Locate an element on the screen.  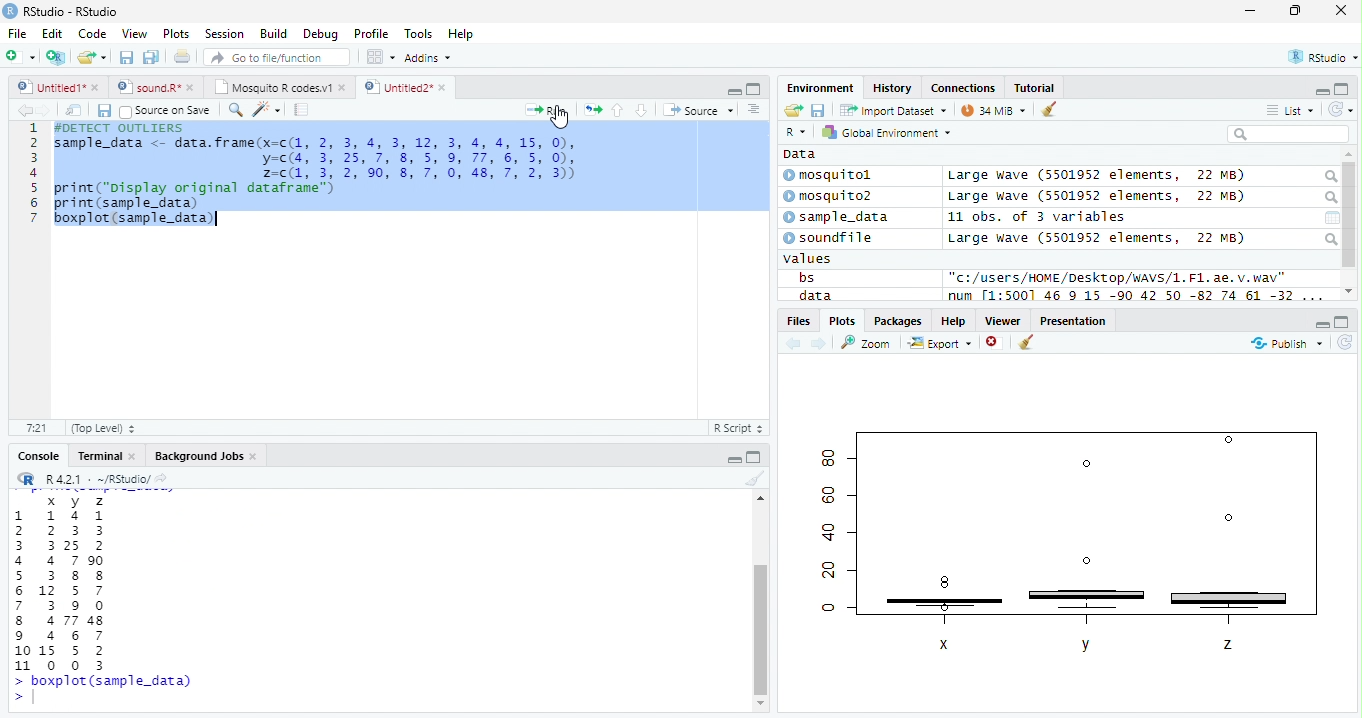
code tools is located at coordinates (267, 110).